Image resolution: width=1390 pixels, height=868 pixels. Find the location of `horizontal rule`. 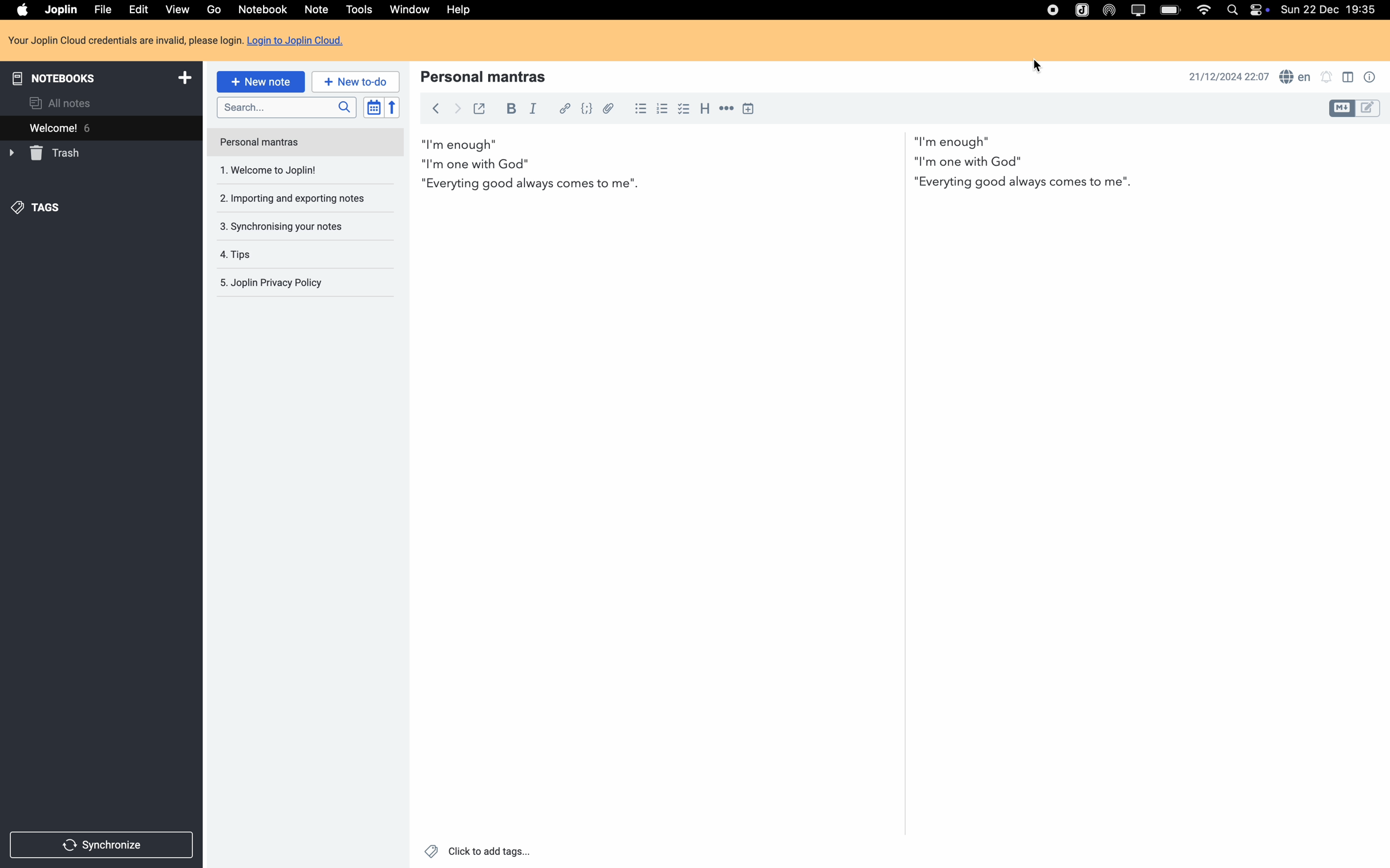

horizontal rule is located at coordinates (728, 108).